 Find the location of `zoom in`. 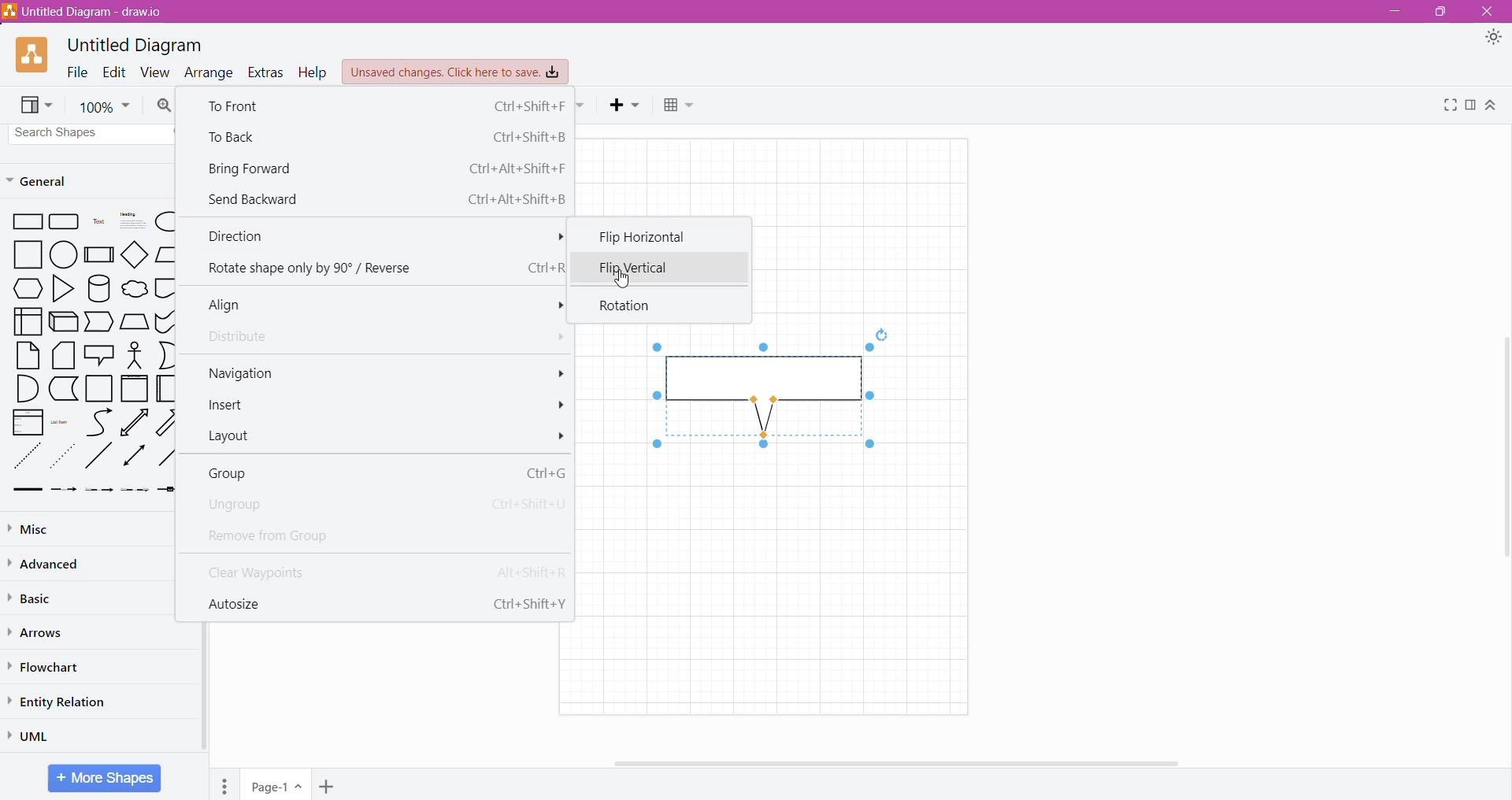

zoom in is located at coordinates (165, 106).